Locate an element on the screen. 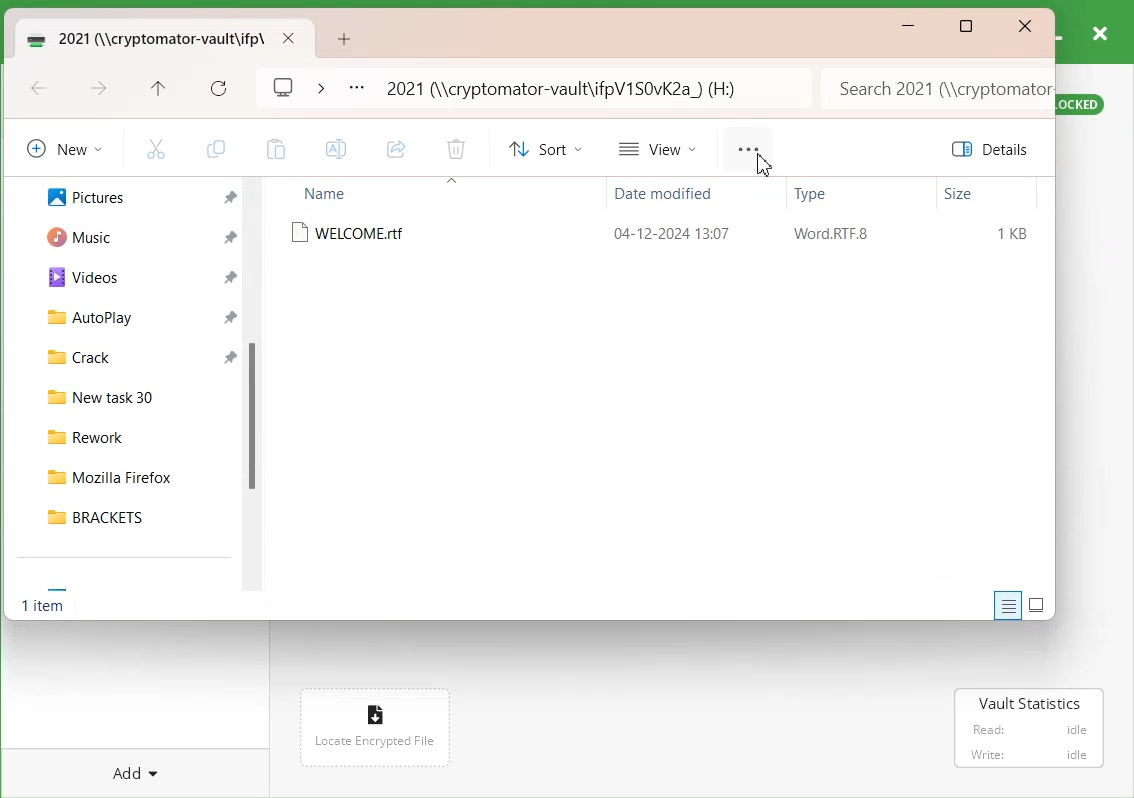 Image resolution: width=1134 pixels, height=798 pixels. Minimize is located at coordinates (909, 26).